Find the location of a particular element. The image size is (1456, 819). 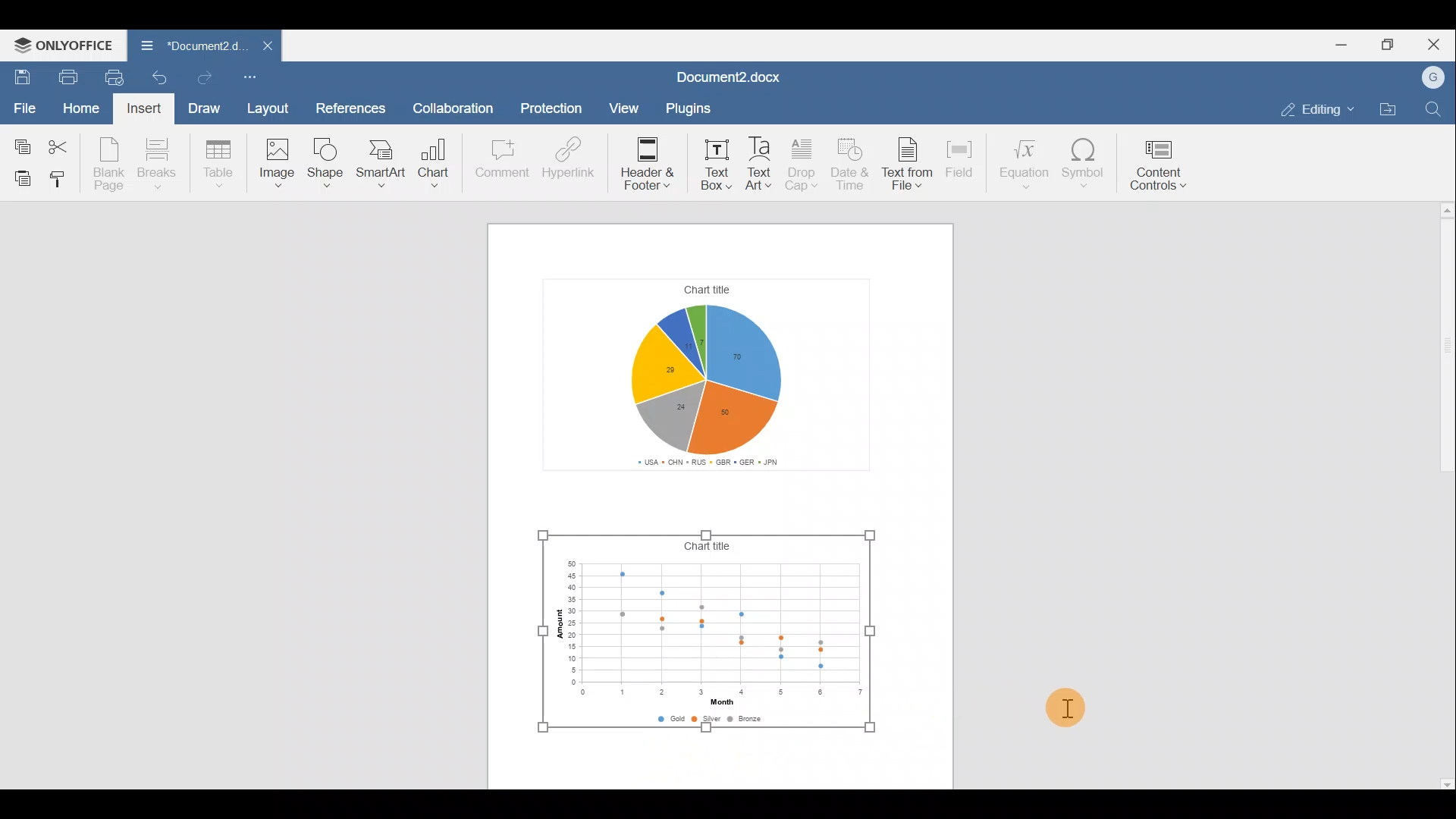

Content controls is located at coordinates (1163, 165).